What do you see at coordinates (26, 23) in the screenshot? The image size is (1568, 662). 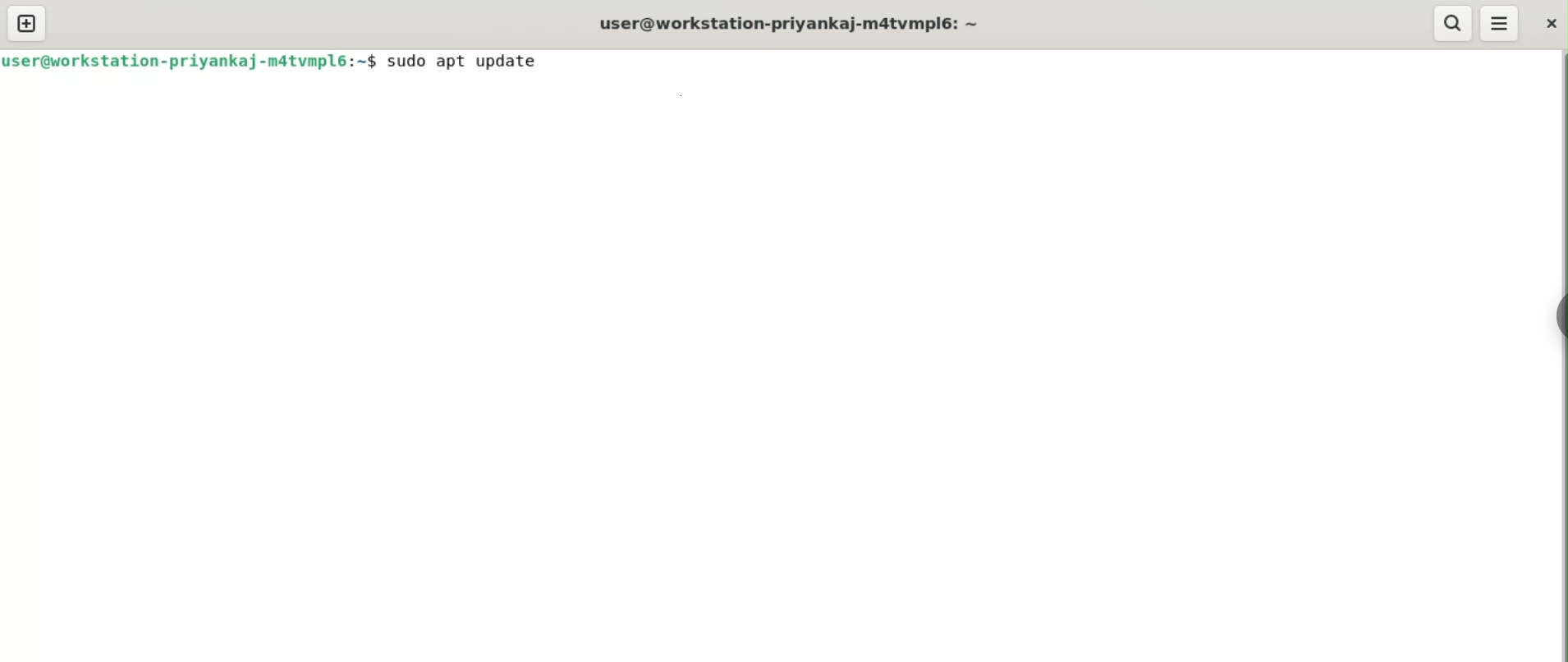 I see `new tab` at bounding box center [26, 23].